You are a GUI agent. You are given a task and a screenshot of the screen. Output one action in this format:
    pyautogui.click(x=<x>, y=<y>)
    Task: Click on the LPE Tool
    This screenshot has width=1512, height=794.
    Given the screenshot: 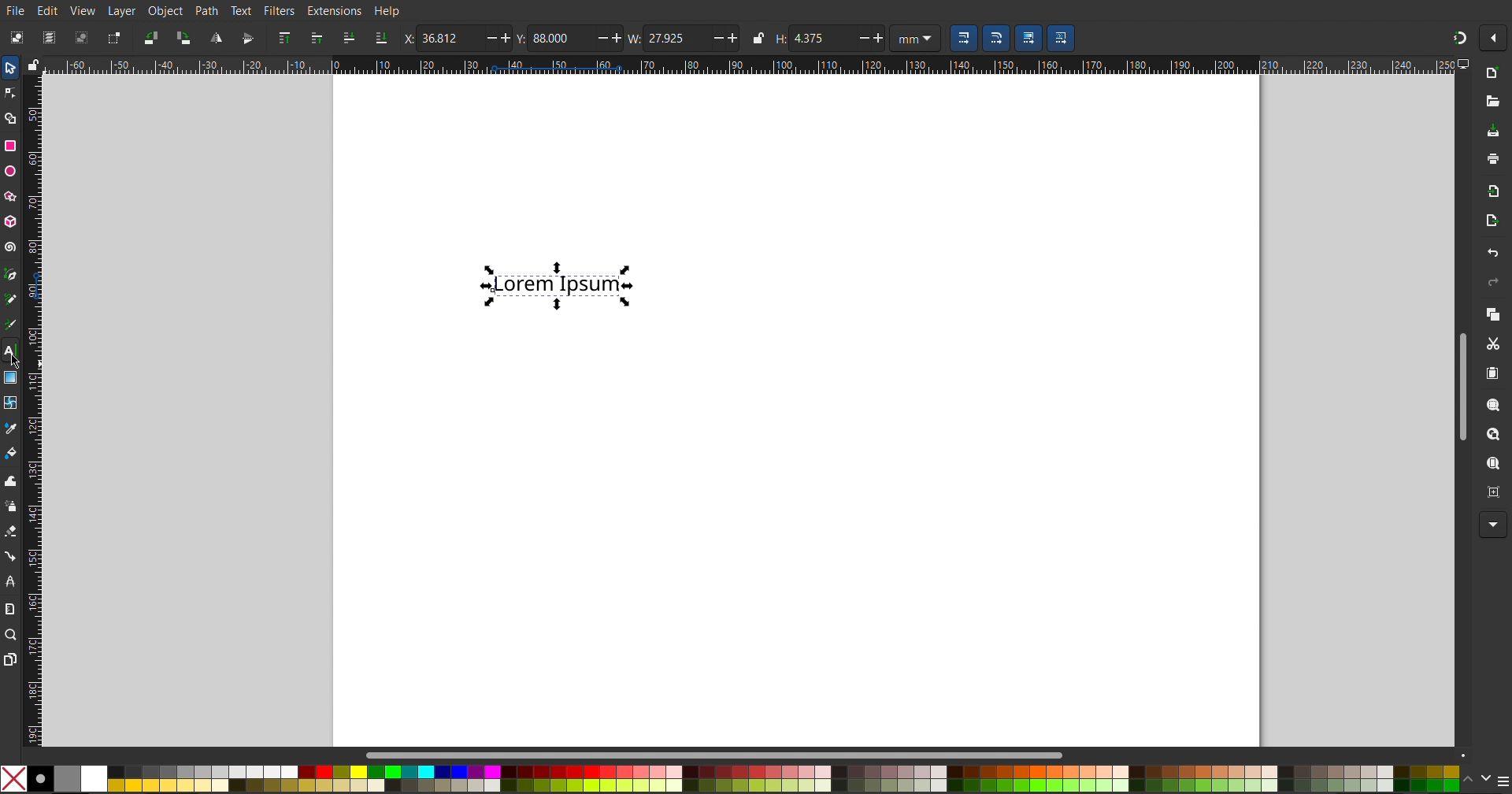 What is the action you would take?
    pyautogui.click(x=11, y=581)
    